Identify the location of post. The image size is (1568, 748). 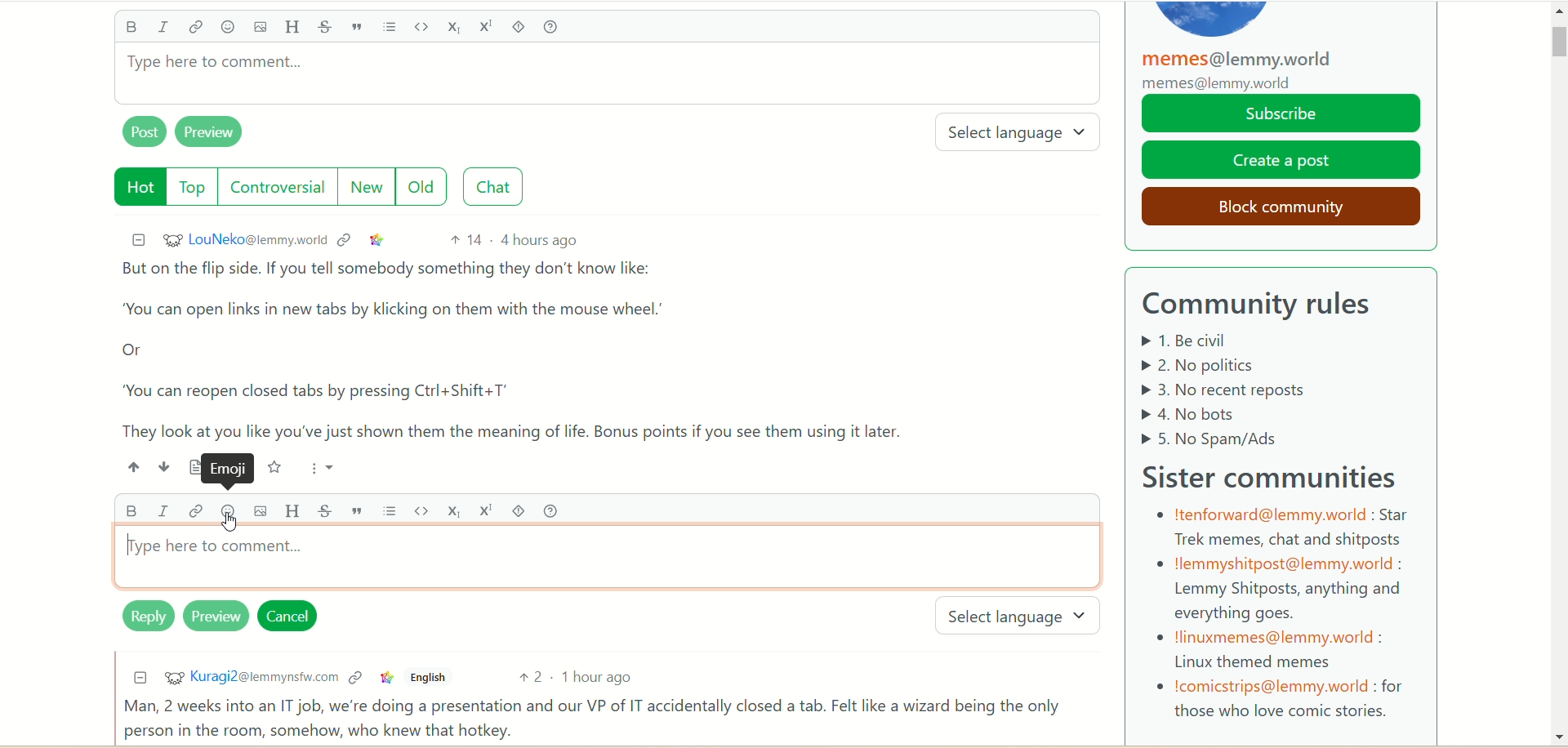
(140, 134).